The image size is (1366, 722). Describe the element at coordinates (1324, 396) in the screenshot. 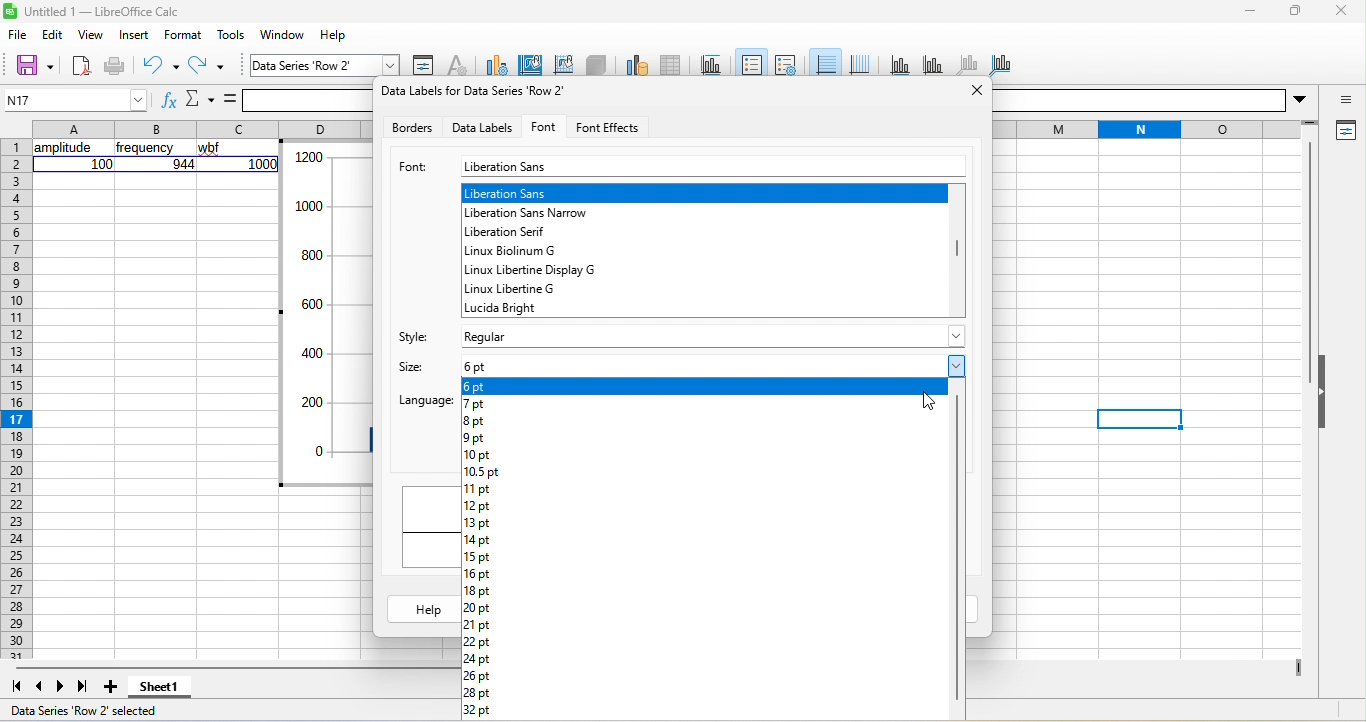

I see `hide` at that location.